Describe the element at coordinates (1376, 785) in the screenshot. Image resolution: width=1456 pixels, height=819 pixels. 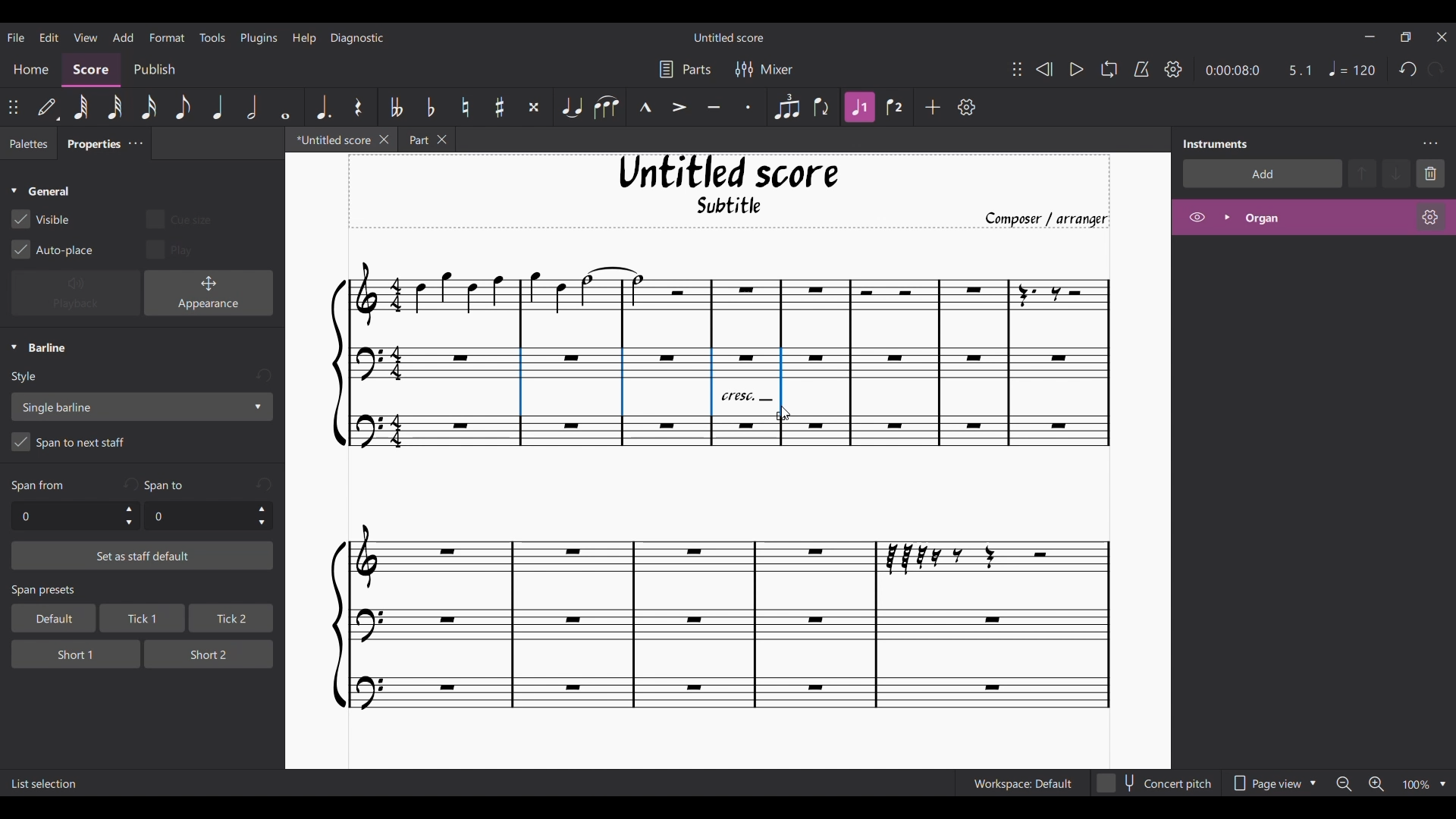
I see `Zoom in` at that location.